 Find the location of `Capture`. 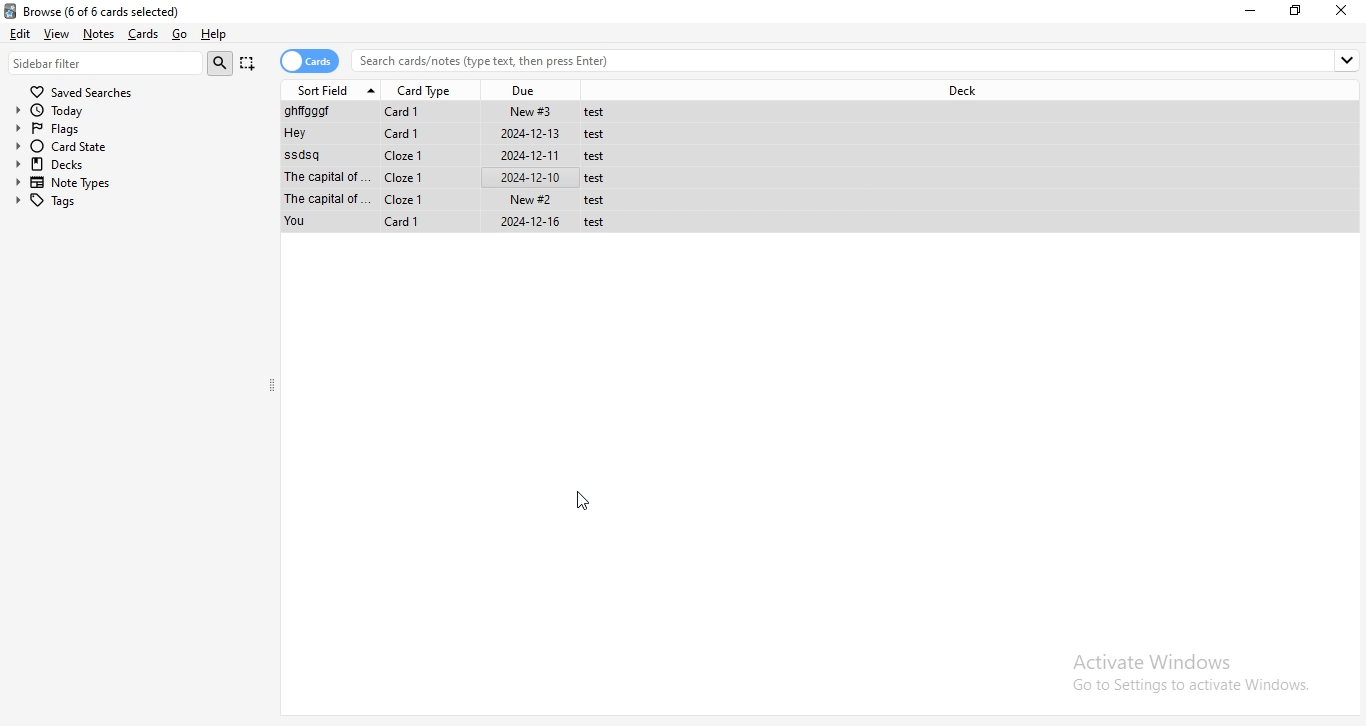

Capture is located at coordinates (248, 63).